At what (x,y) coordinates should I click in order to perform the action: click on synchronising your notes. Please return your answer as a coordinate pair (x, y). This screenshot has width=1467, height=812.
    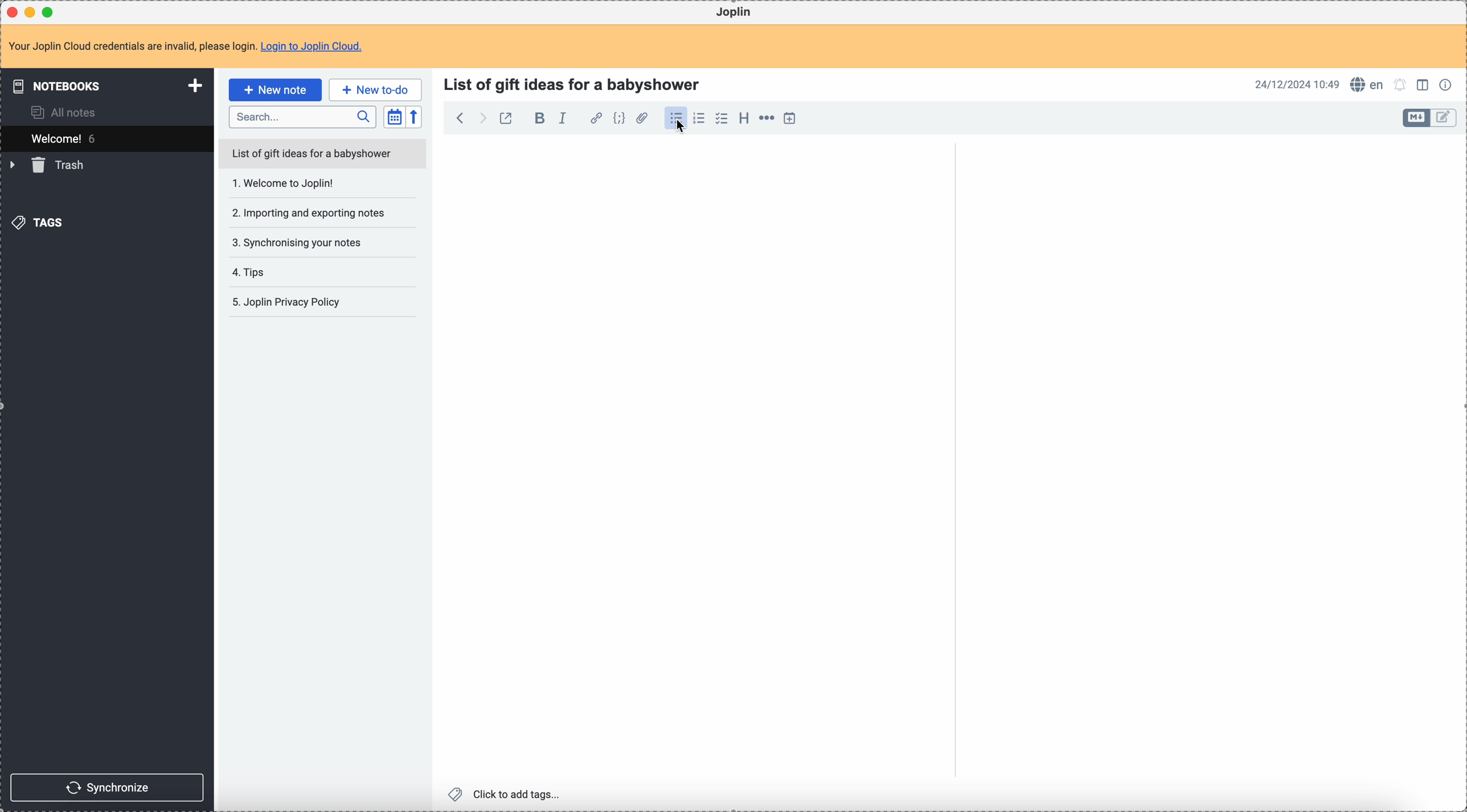
    Looking at the image, I should click on (306, 243).